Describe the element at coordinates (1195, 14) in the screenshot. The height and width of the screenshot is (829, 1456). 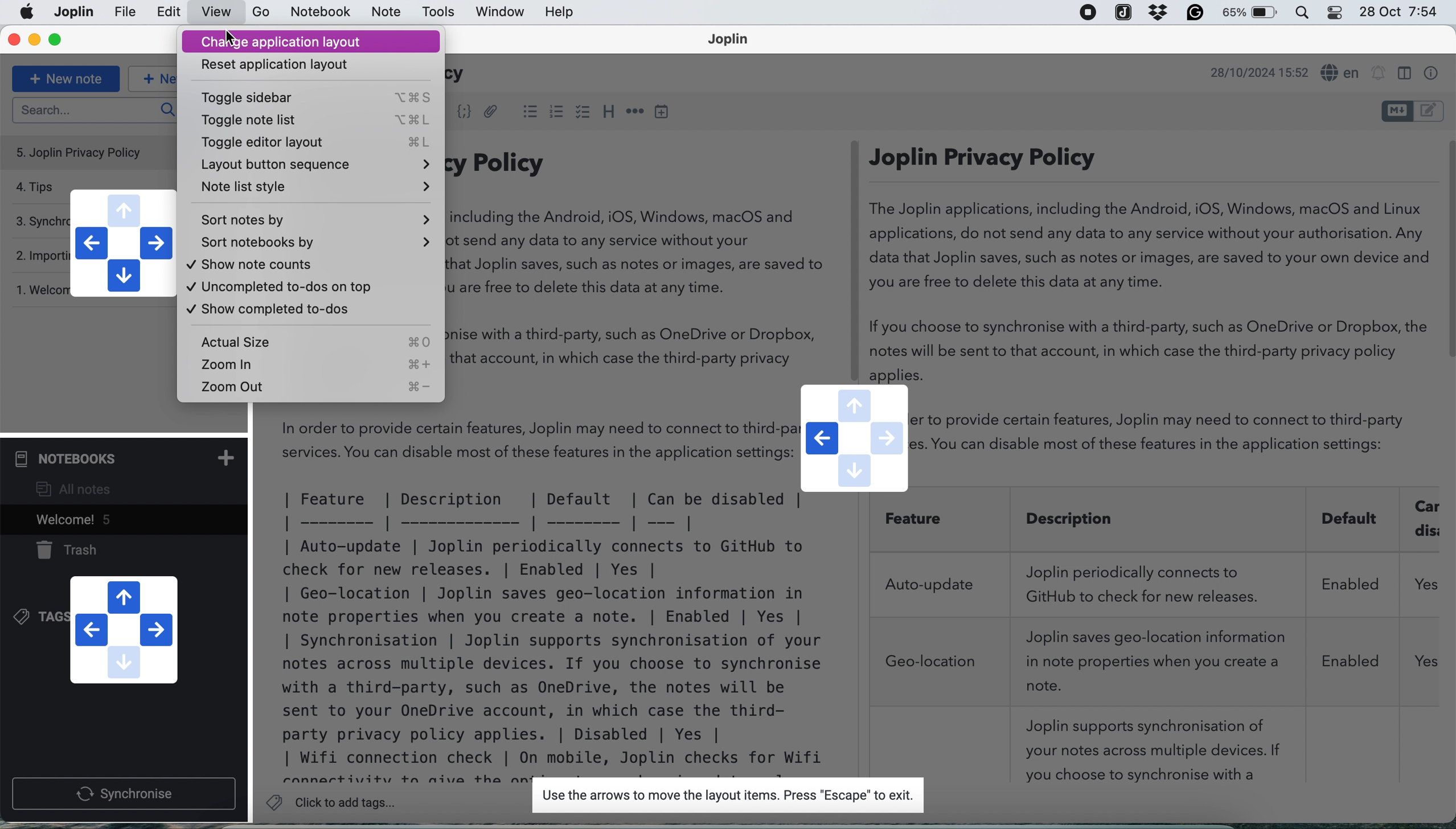
I see `grammarly` at that location.